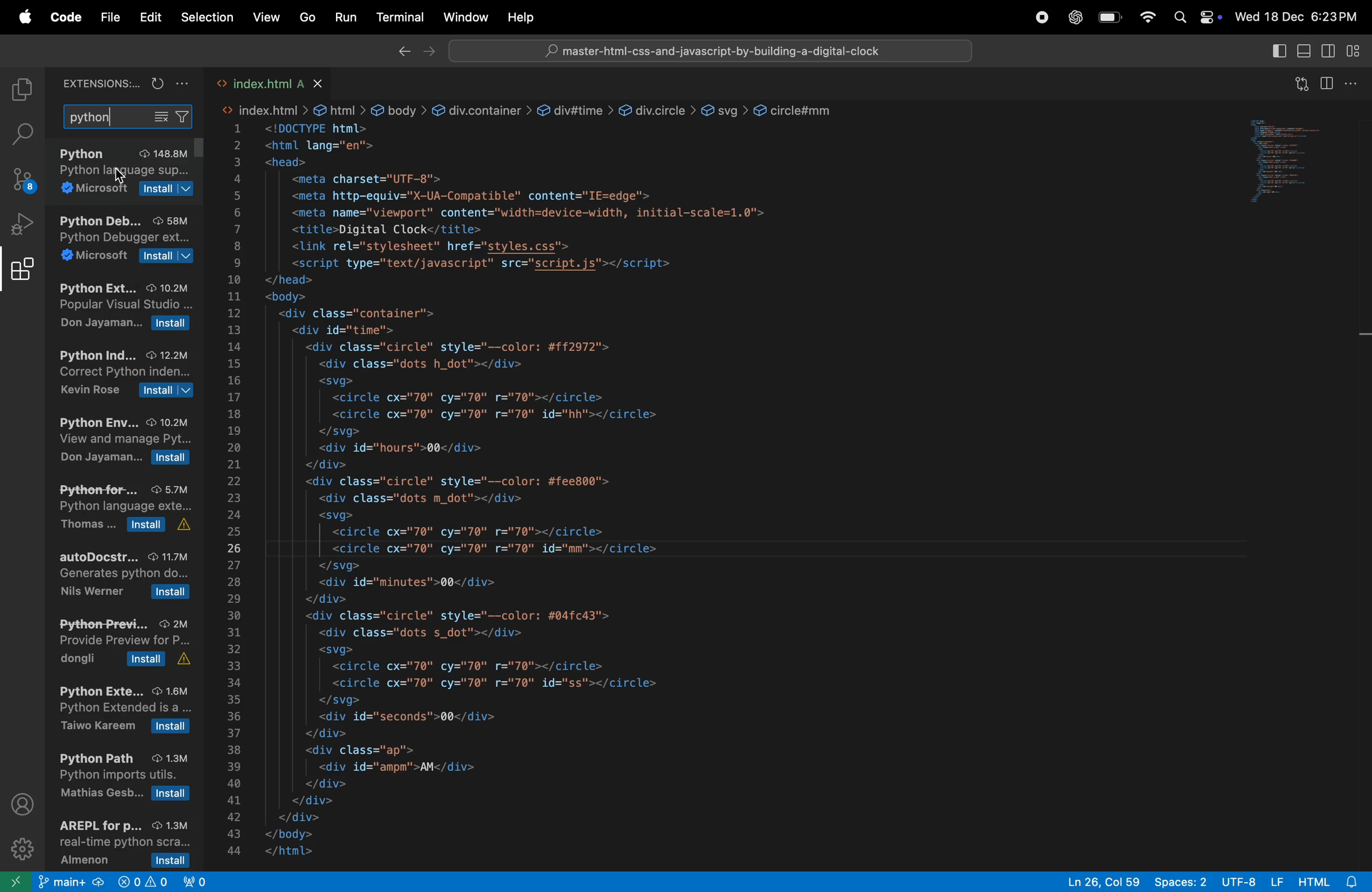 Image resolution: width=1372 pixels, height=892 pixels. I want to click on python format, so click(128, 511).